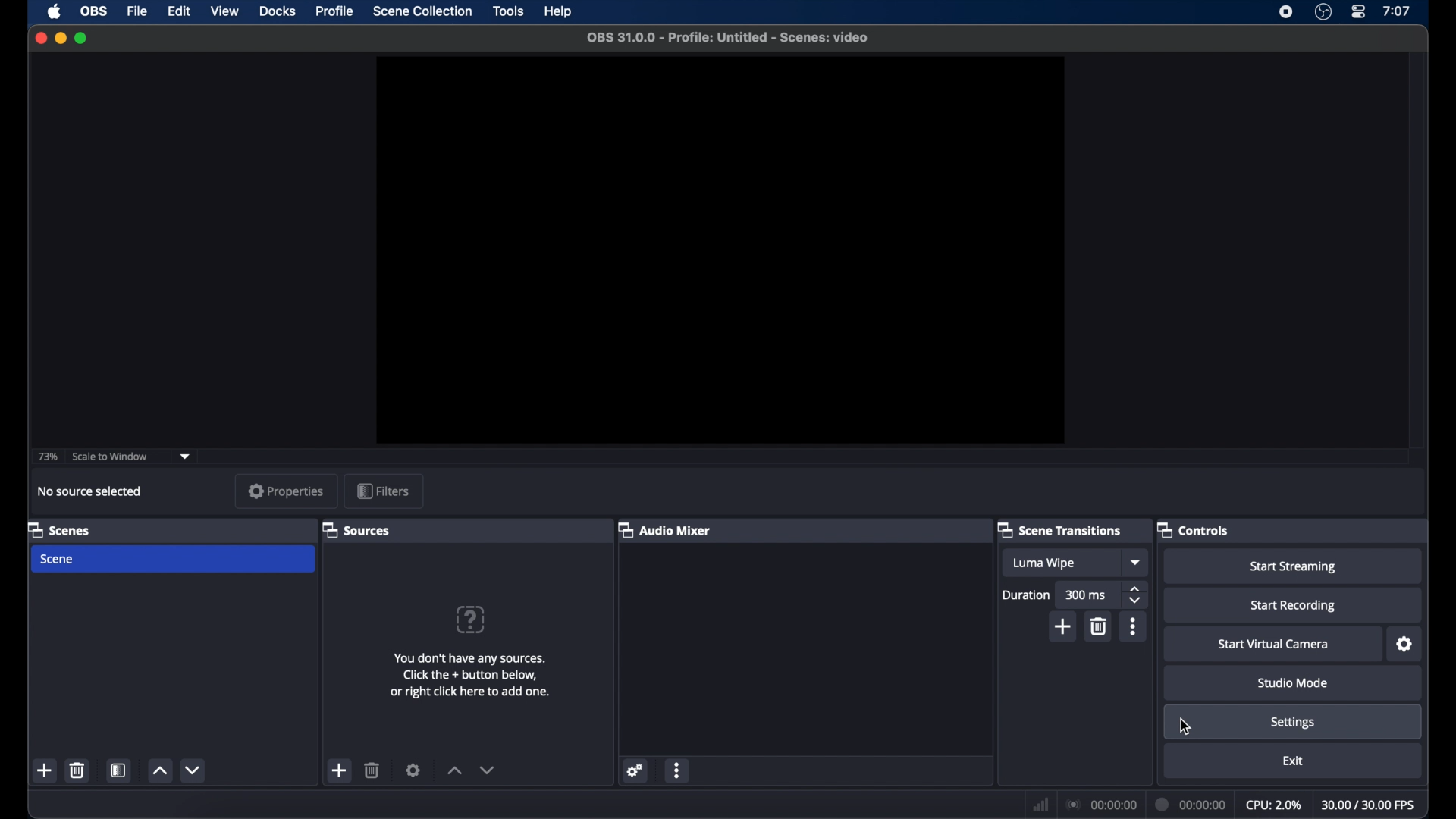  What do you see at coordinates (1273, 645) in the screenshot?
I see `start virtual camera` at bounding box center [1273, 645].